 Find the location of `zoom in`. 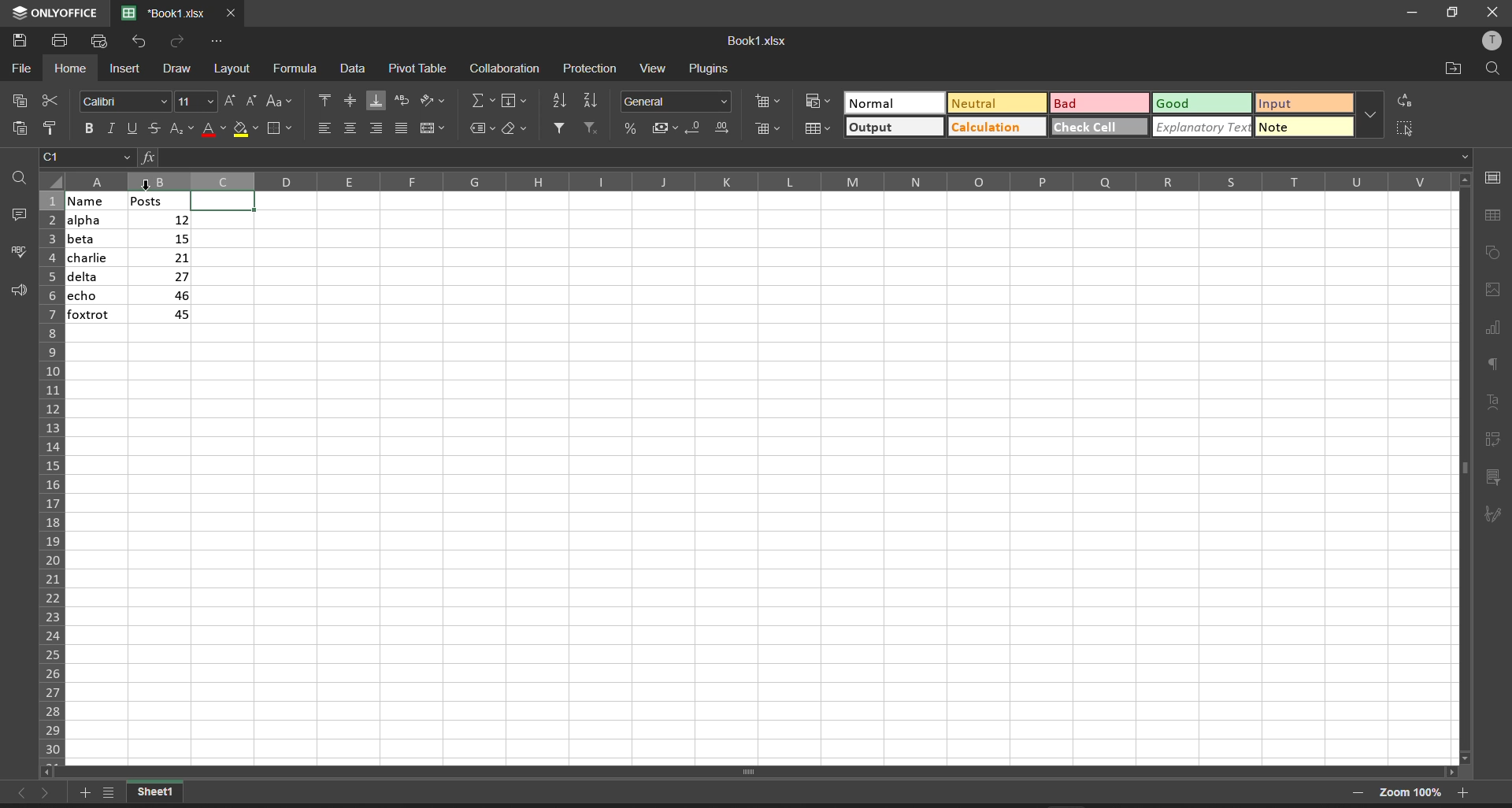

zoom in is located at coordinates (1466, 791).